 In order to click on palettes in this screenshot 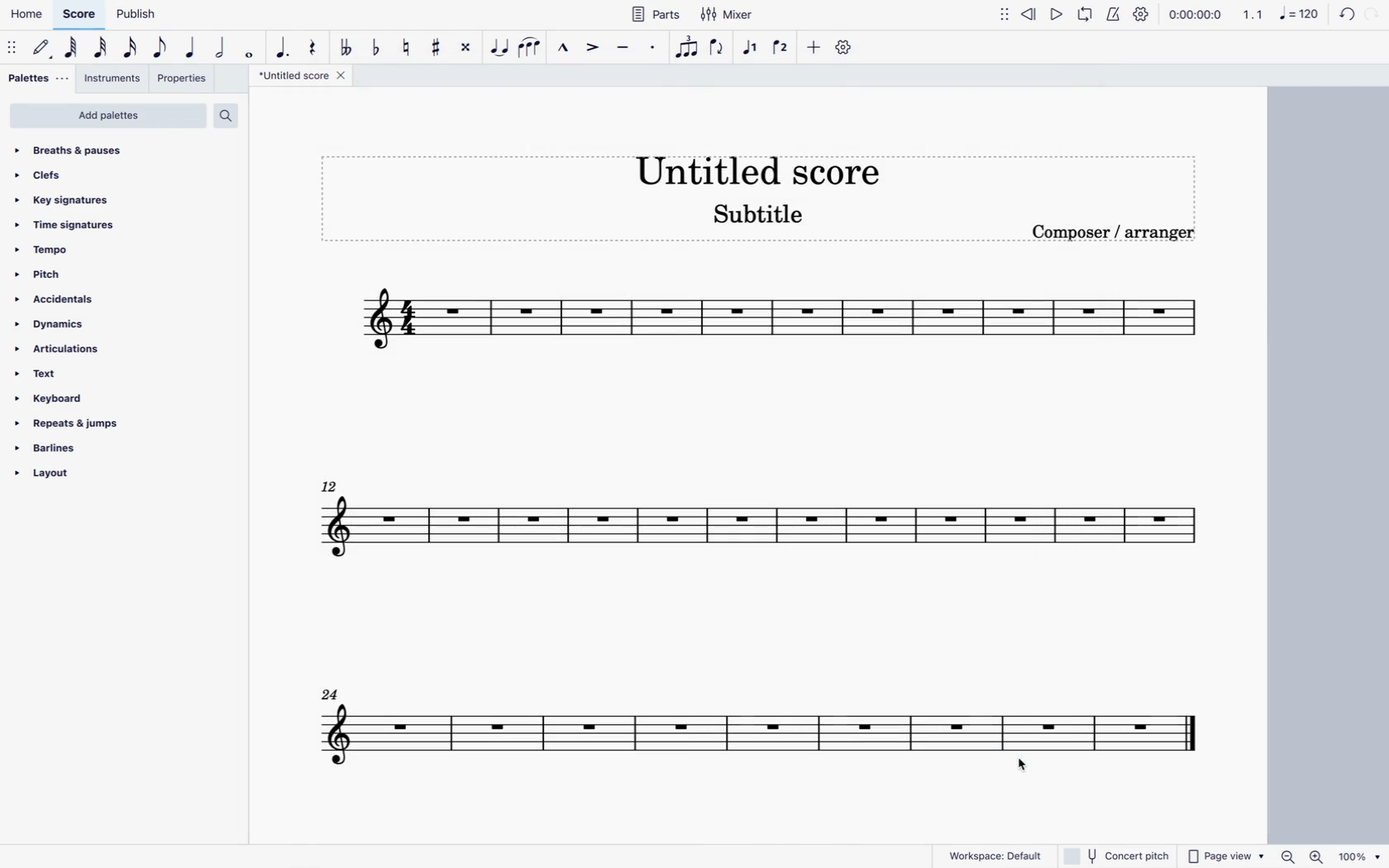, I will do `click(36, 79)`.